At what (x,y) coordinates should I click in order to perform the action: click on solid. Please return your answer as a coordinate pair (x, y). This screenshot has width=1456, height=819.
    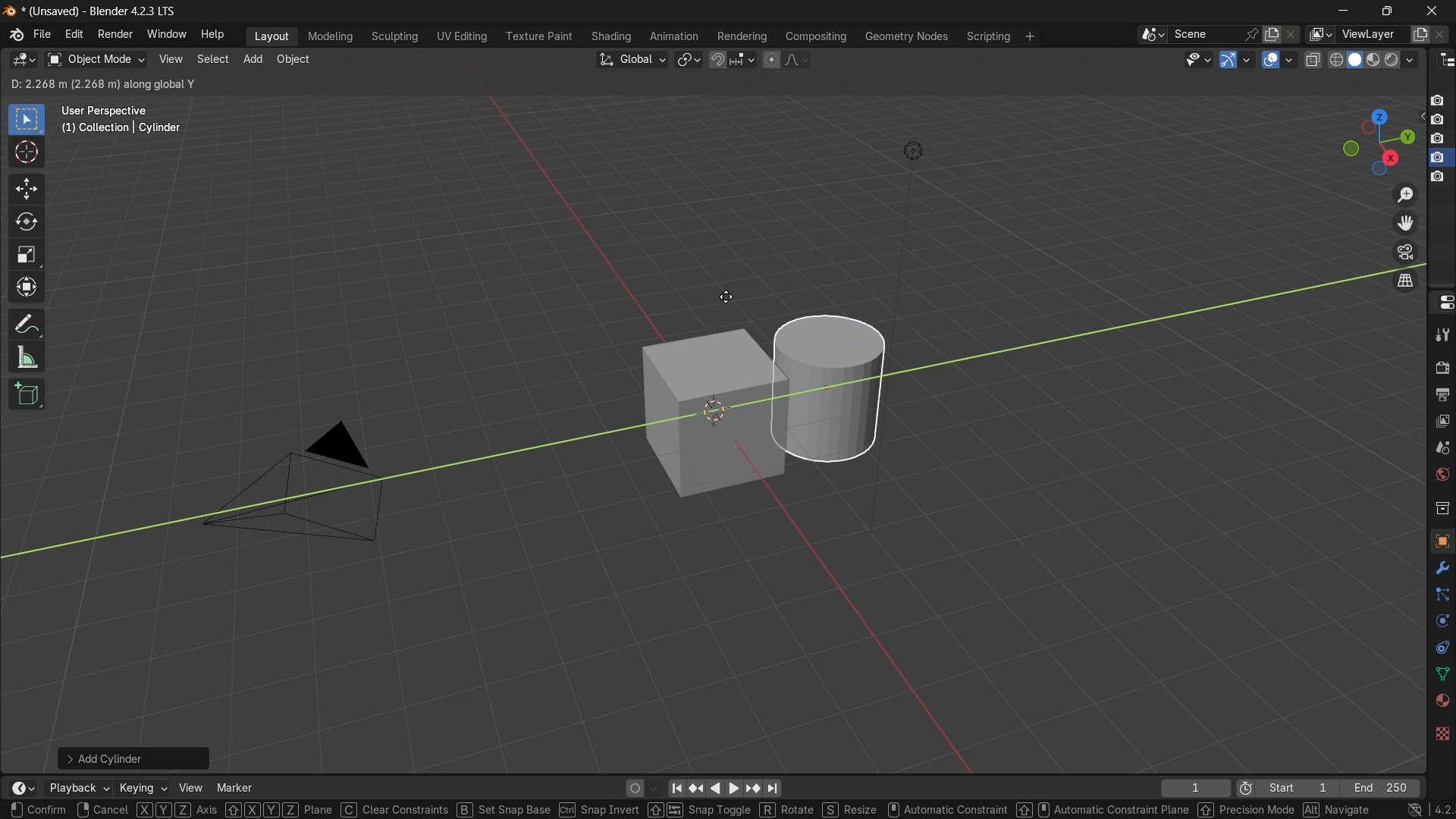
    Looking at the image, I should click on (1356, 61).